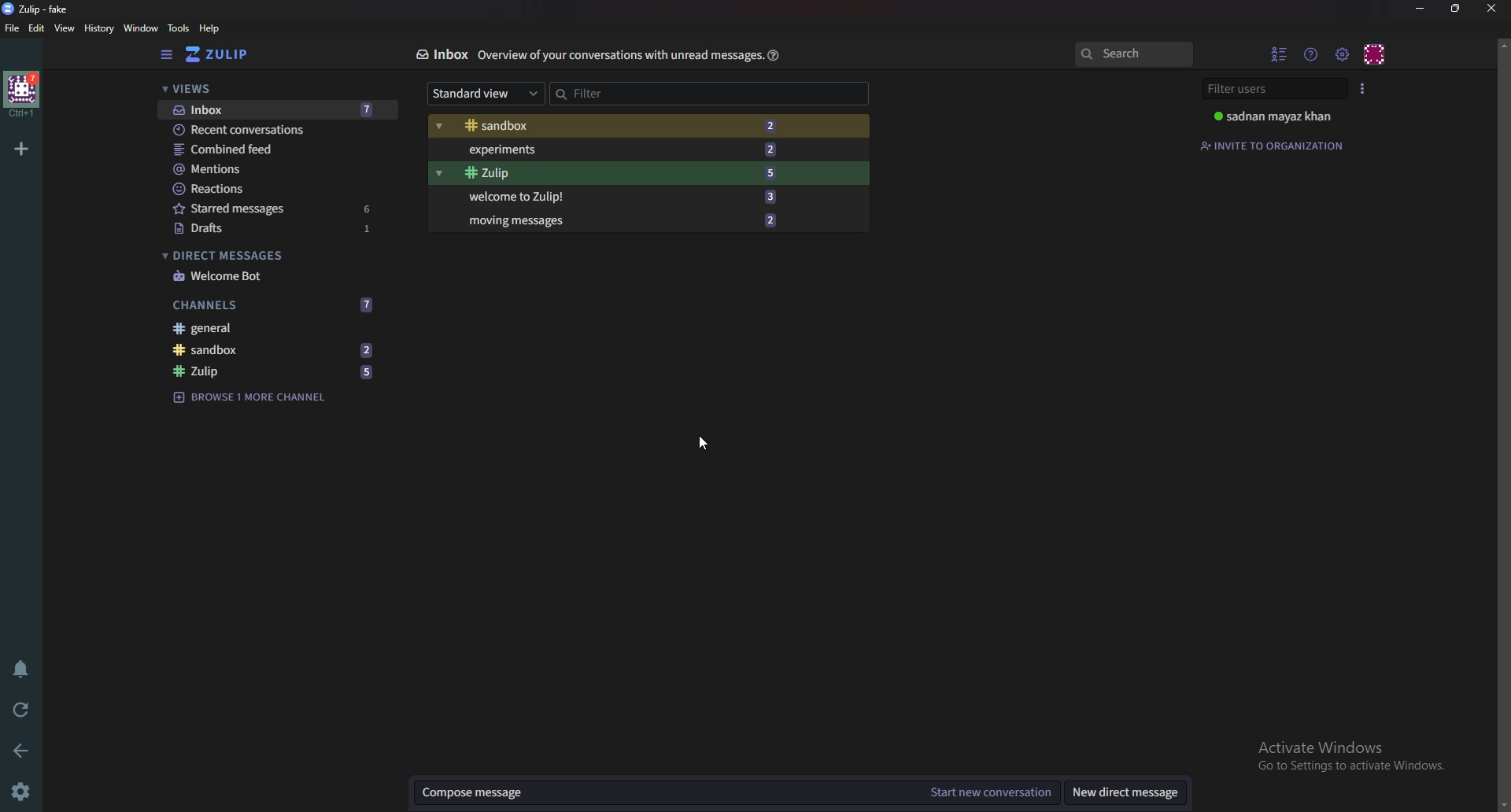  I want to click on welcome bot, so click(273, 275).